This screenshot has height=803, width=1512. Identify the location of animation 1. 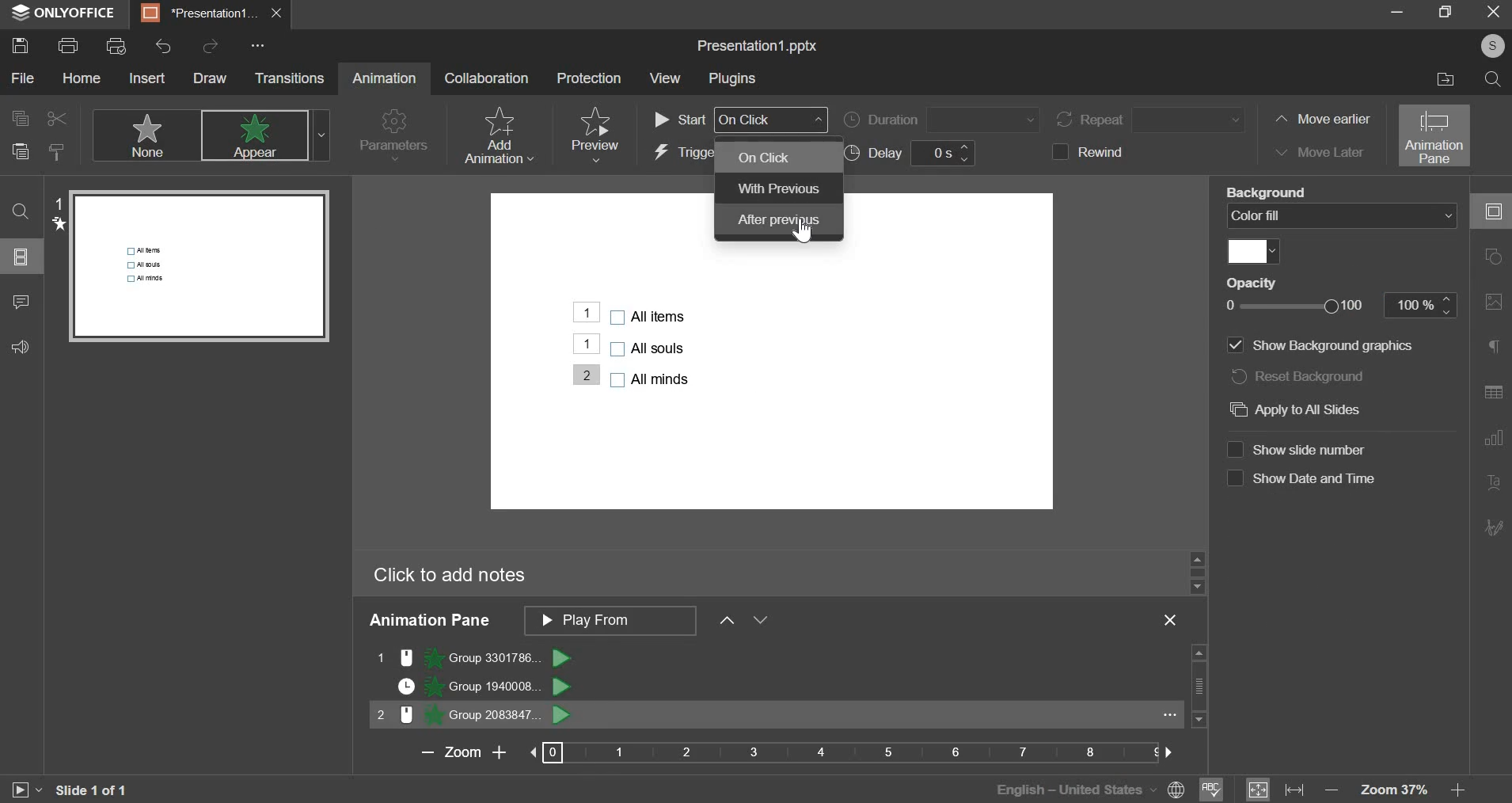
(473, 657).